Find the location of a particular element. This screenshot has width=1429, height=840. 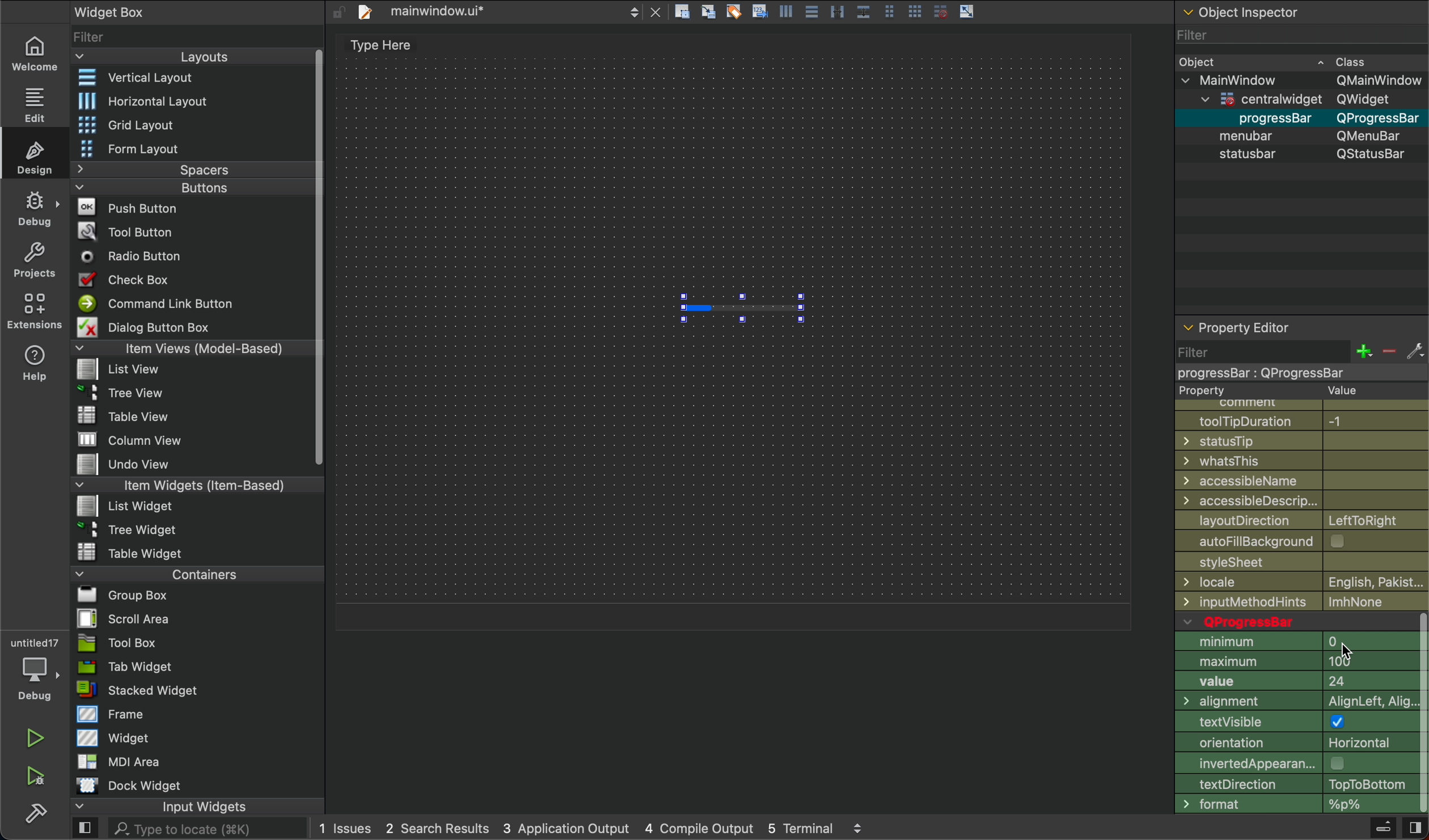

edit is located at coordinates (32, 103).